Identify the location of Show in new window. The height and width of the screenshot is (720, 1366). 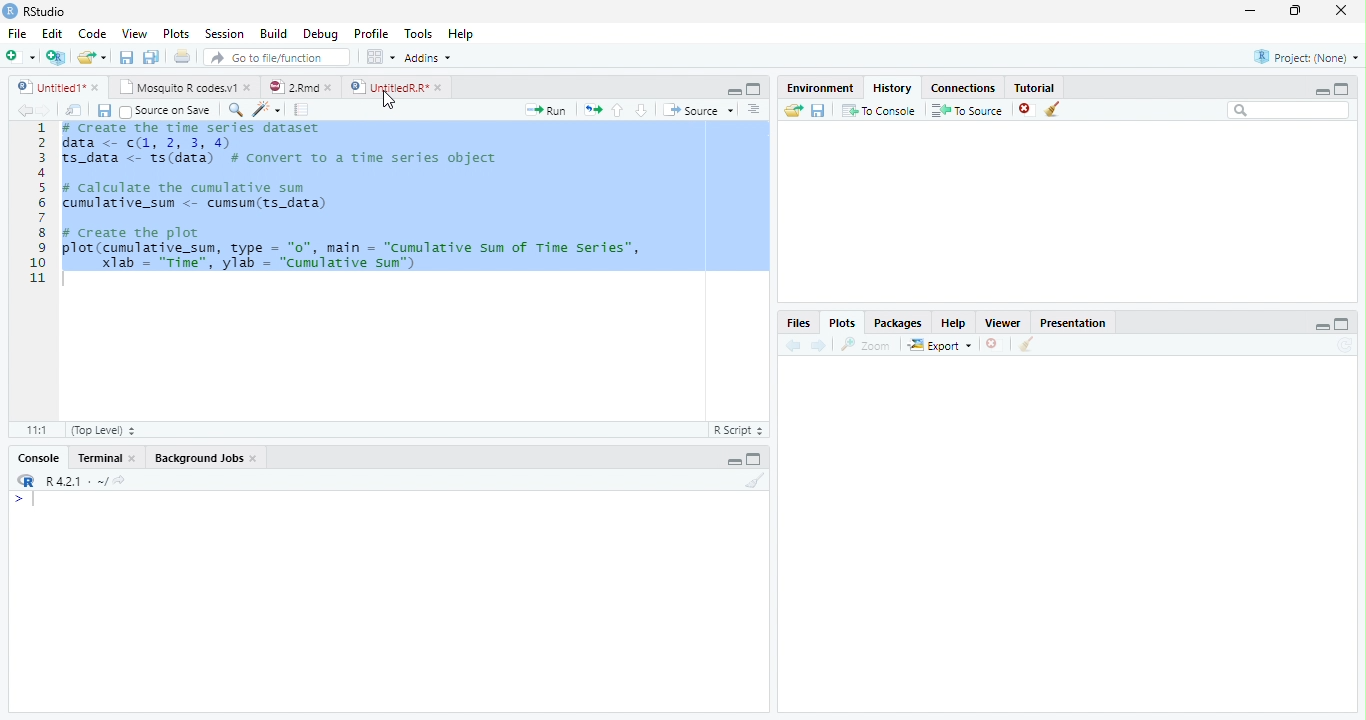
(73, 113).